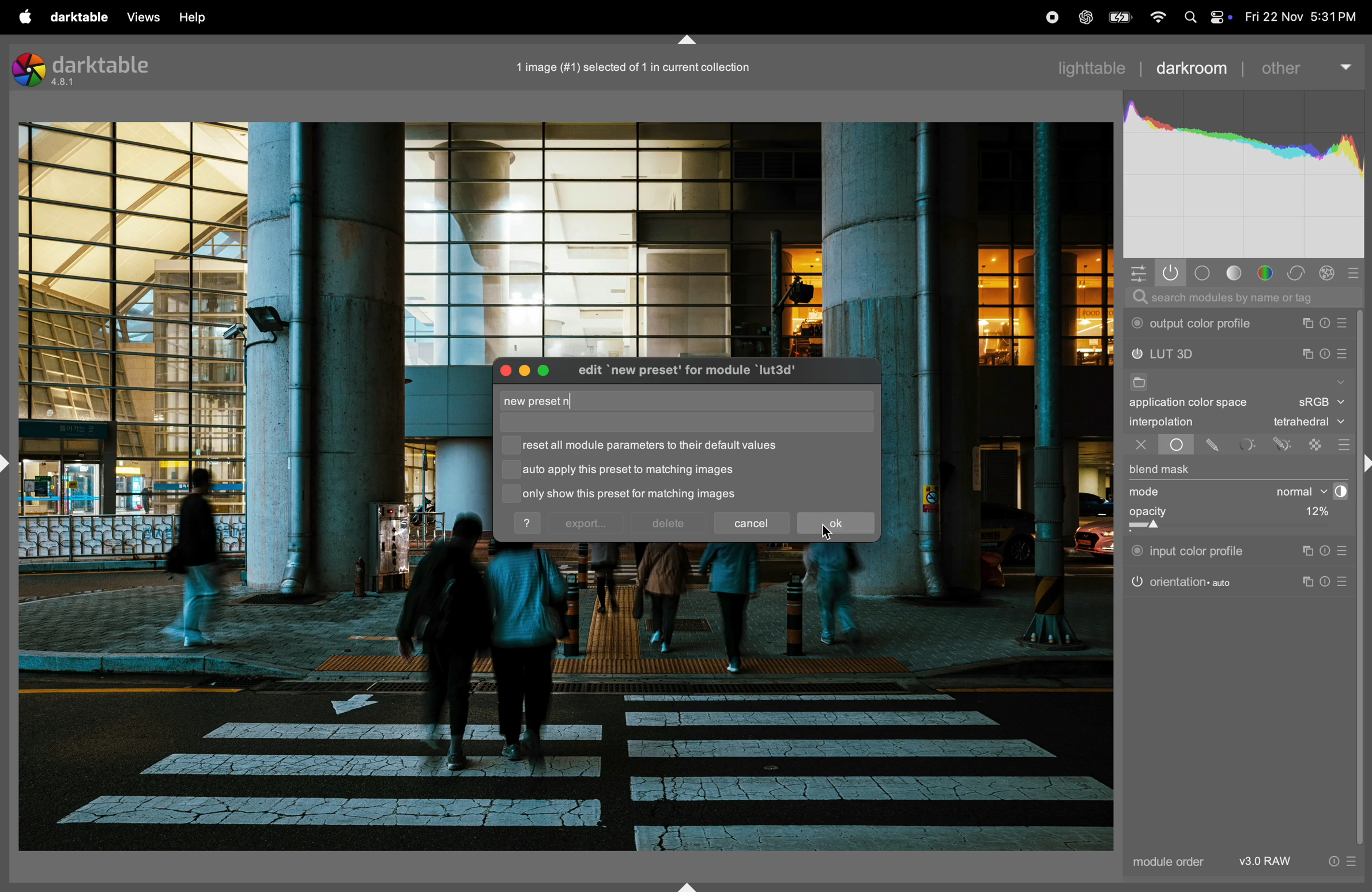 Image resolution: width=1372 pixels, height=892 pixels. What do you see at coordinates (1156, 18) in the screenshot?
I see `wifi` at bounding box center [1156, 18].